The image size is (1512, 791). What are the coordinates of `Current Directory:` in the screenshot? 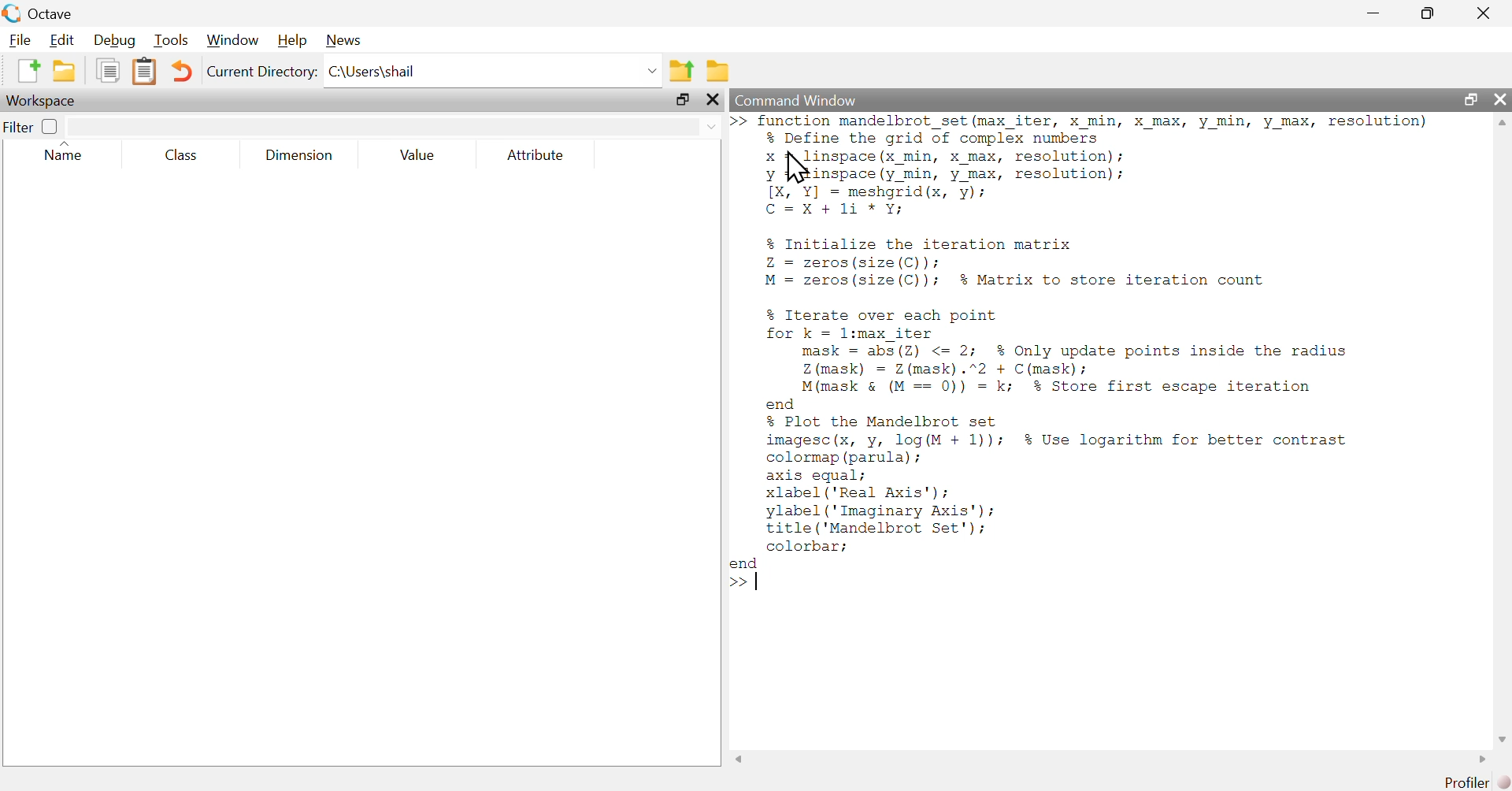 It's located at (261, 73).